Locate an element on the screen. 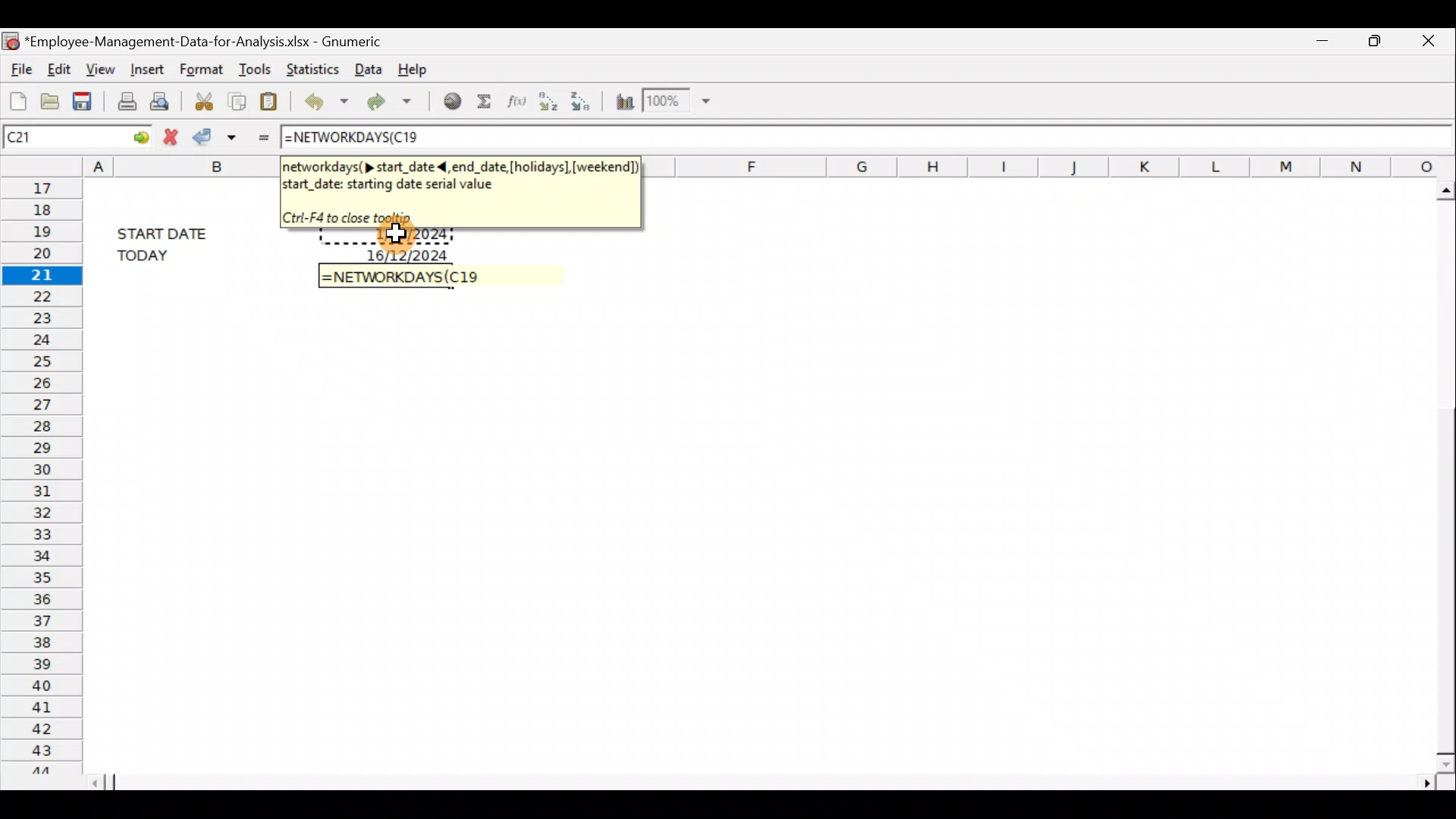 Image resolution: width=1456 pixels, height=819 pixels. Minimize is located at coordinates (1323, 44).